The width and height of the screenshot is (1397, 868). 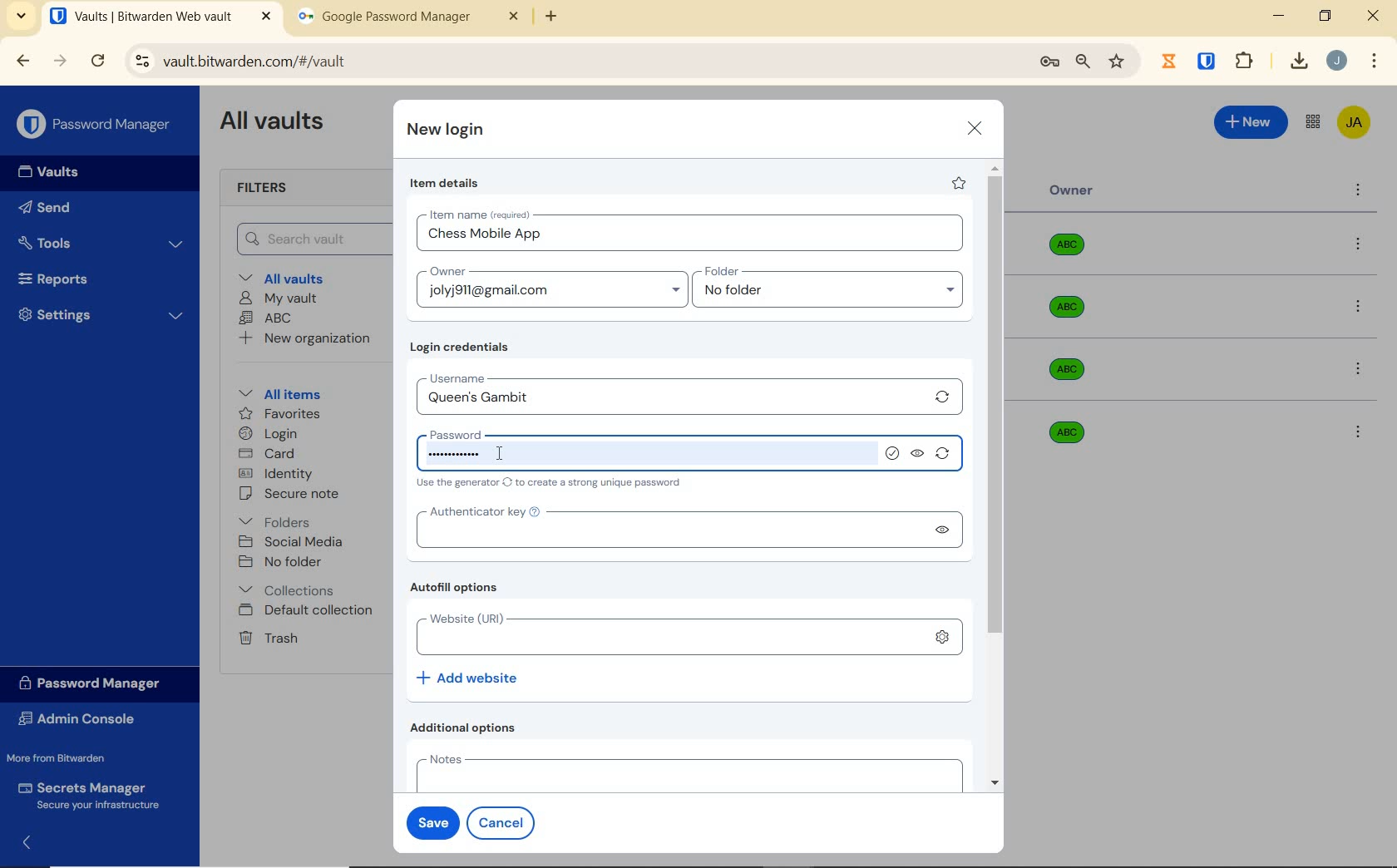 I want to click on toggle between admin console and password manager, so click(x=1311, y=123).